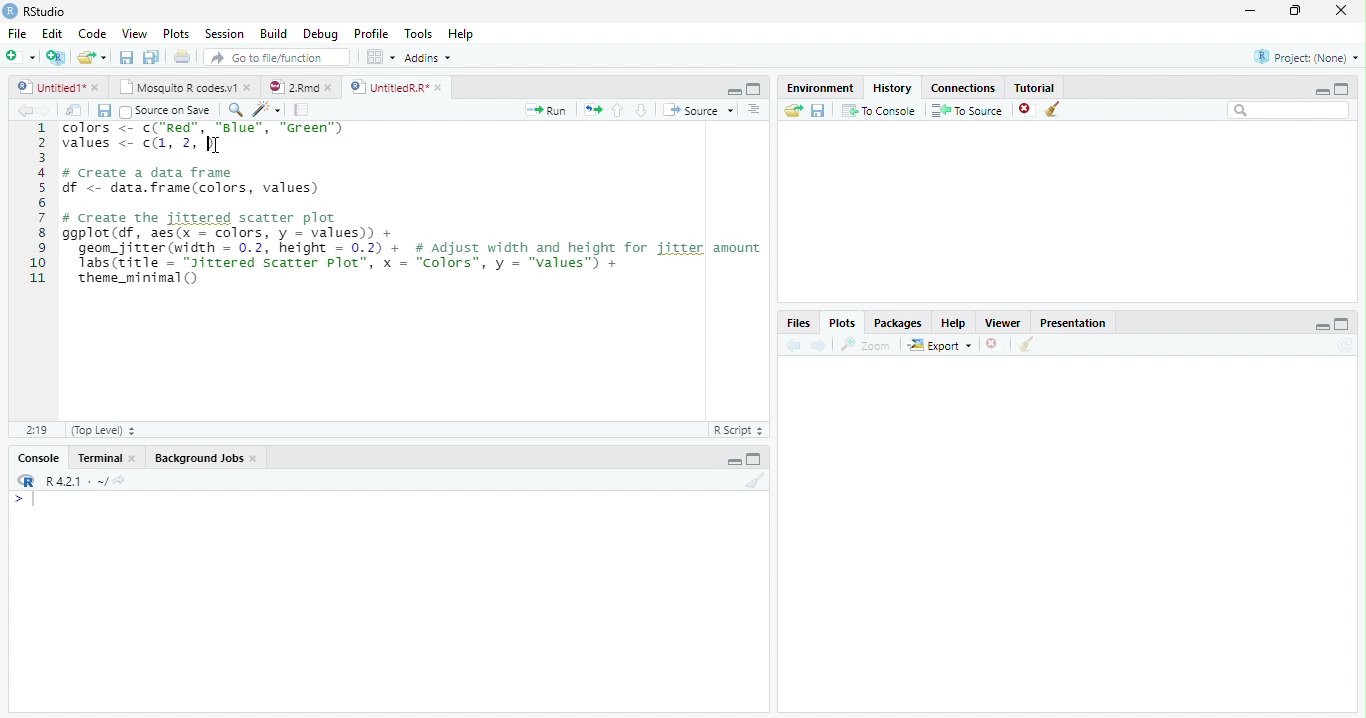 The image size is (1366, 718). Describe the element at coordinates (818, 345) in the screenshot. I see `Next plot` at that location.